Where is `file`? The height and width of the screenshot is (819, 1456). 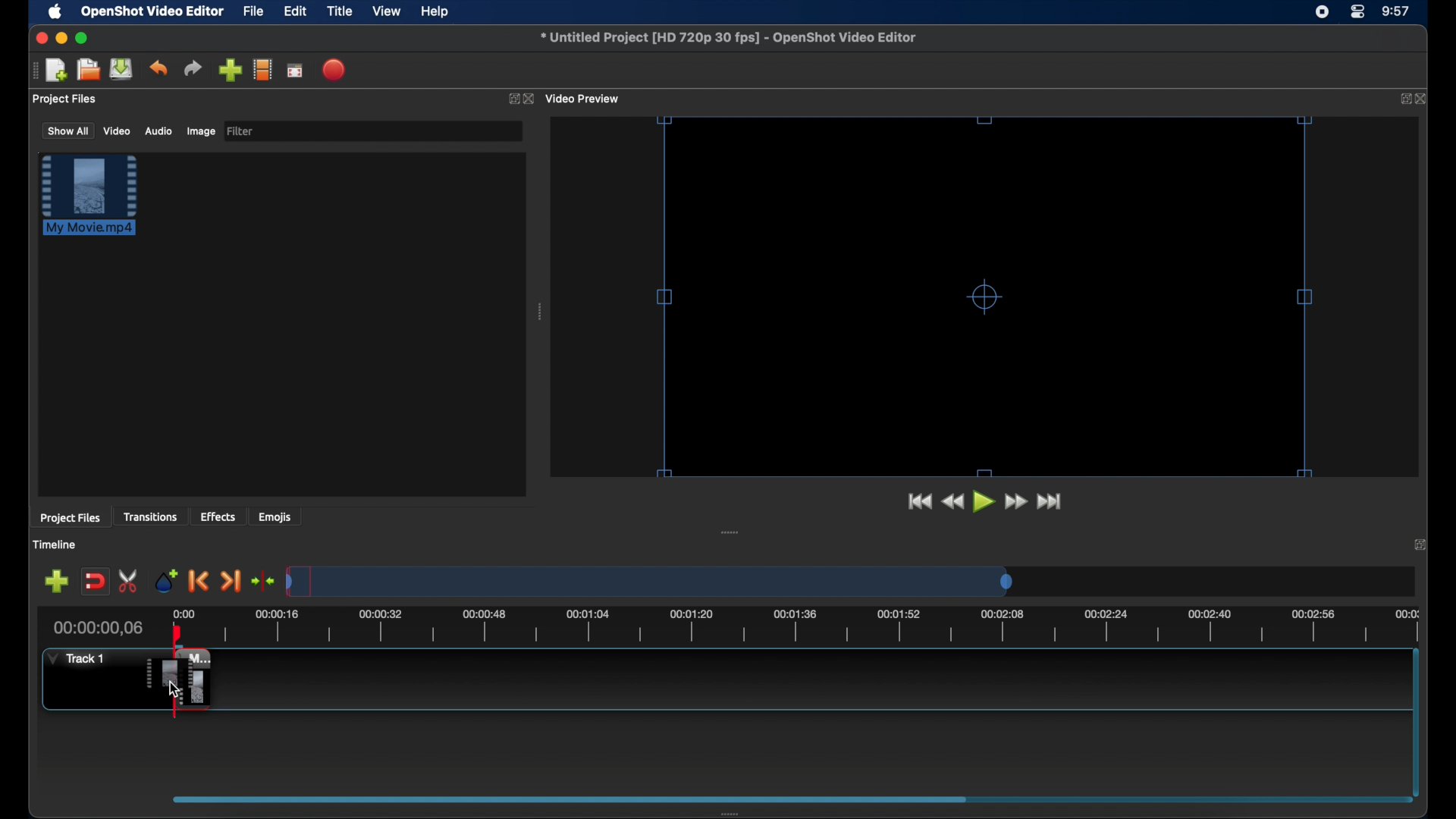 file is located at coordinates (254, 12).